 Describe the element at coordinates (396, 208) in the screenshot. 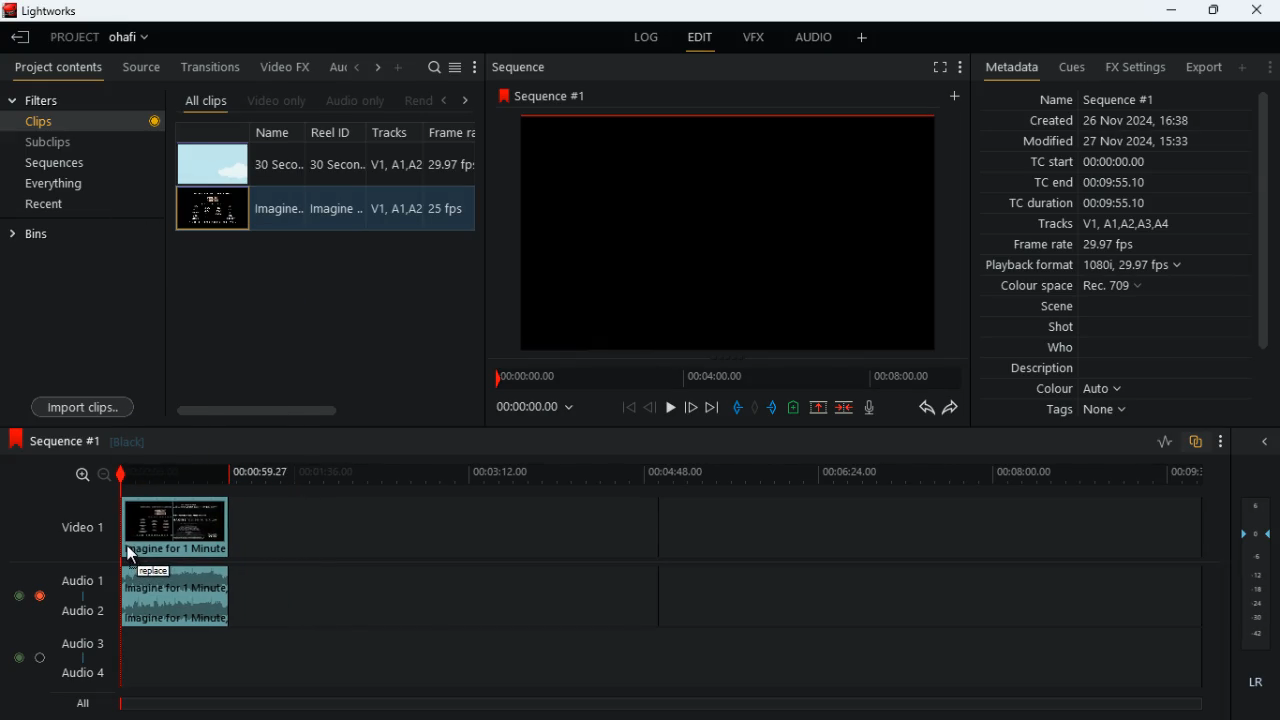

I see `Track` at that location.